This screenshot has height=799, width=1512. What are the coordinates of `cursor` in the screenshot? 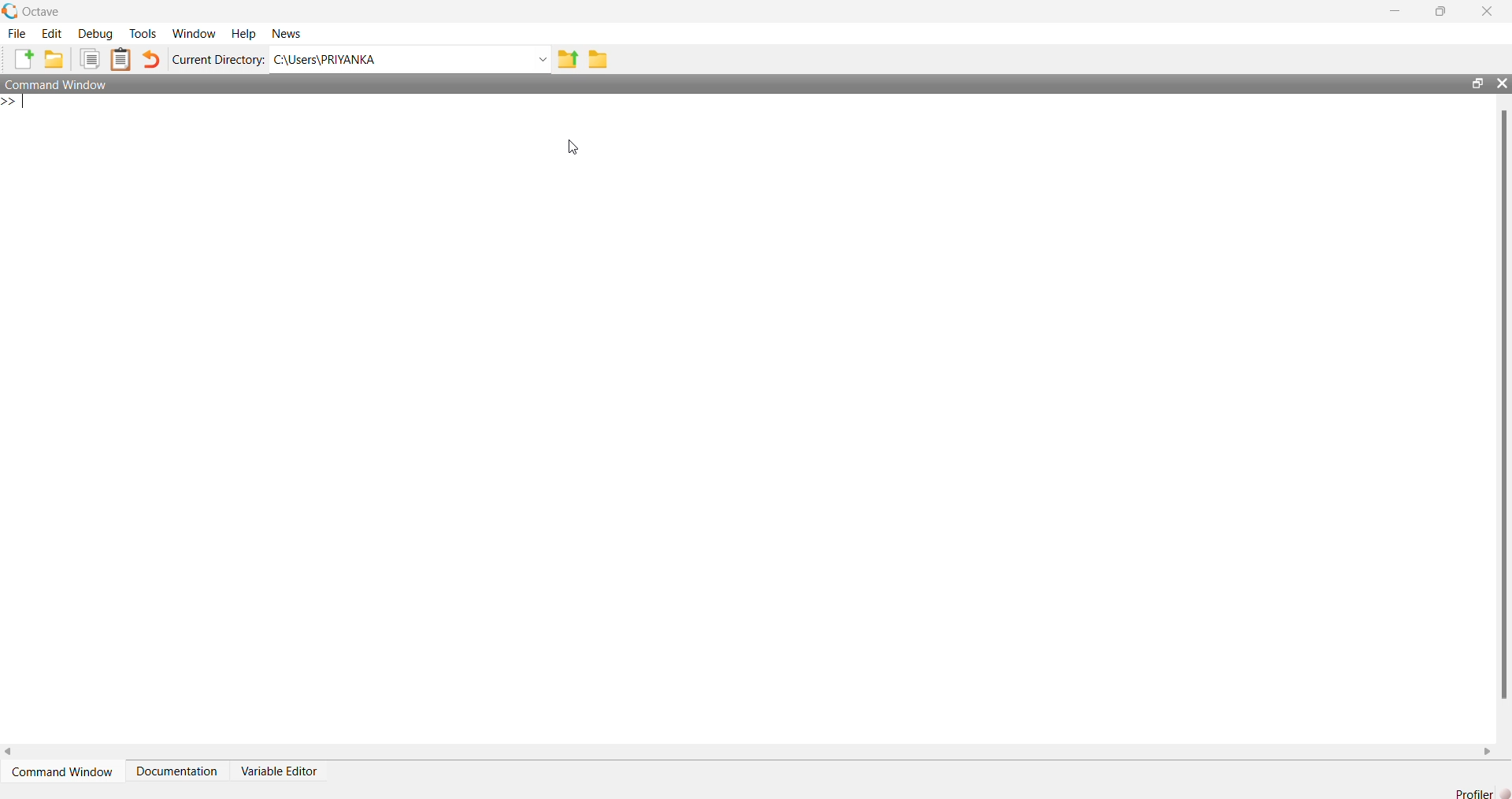 It's located at (573, 147).